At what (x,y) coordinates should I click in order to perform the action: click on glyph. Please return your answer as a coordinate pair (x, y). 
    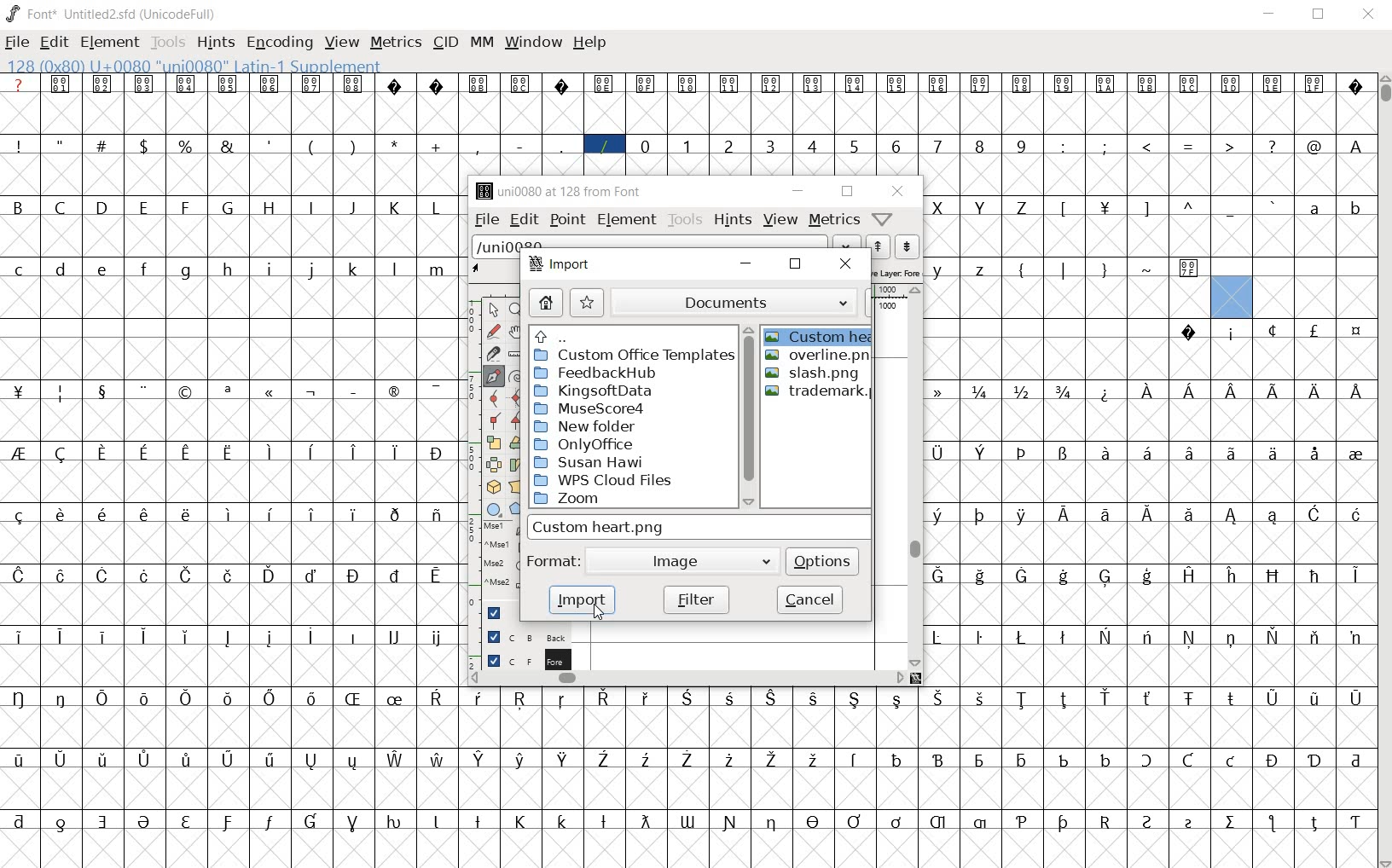
    Looking at the image, I should click on (269, 638).